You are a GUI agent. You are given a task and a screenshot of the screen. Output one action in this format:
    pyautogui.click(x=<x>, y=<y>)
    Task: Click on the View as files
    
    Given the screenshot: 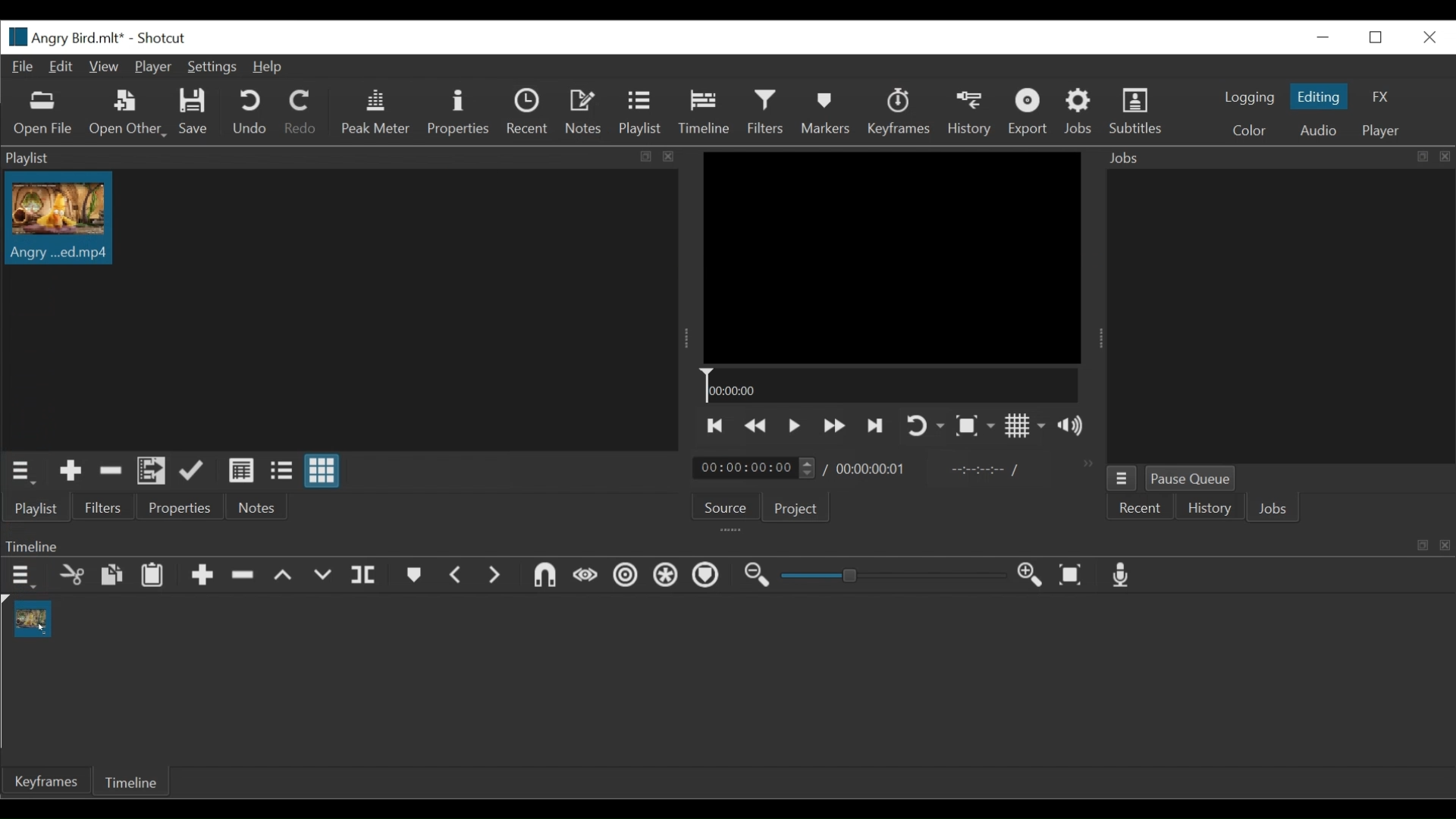 What is the action you would take?
    pyautogui.click(x=281, y=470)
    